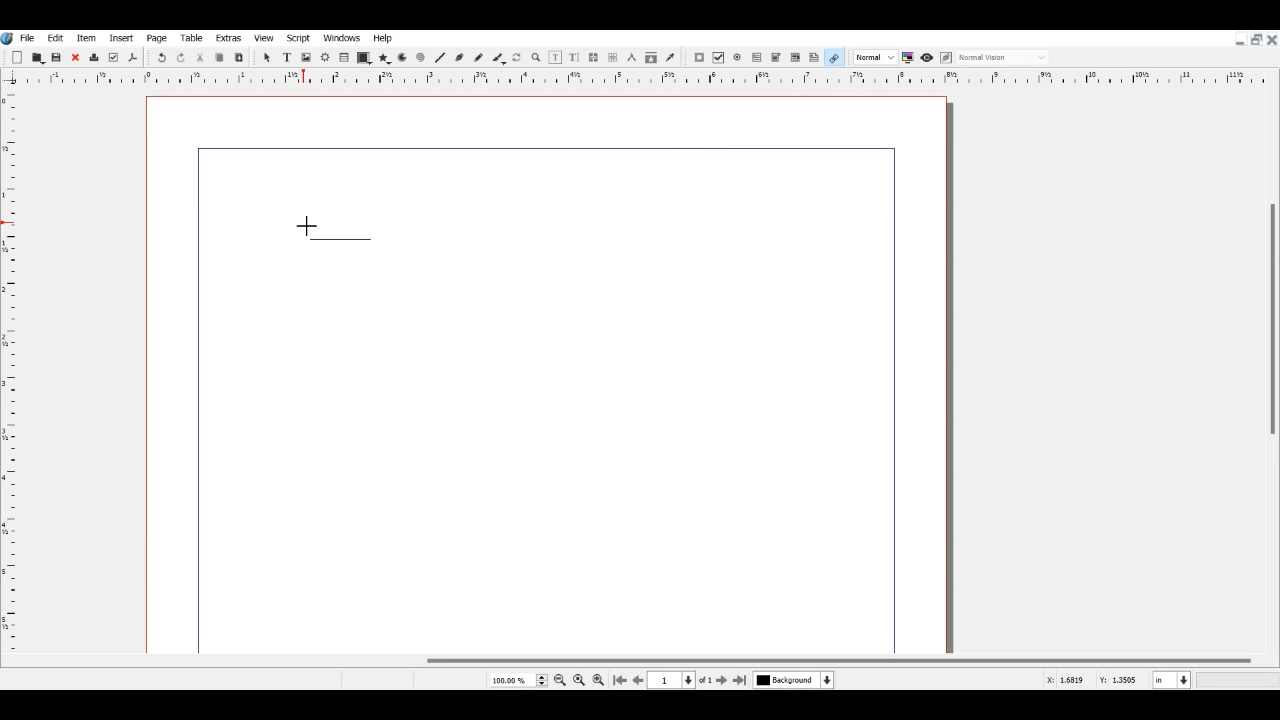 This screenshot has width=1280, height=720. Describe the element at coordinates (776, 58) in the screenshot. I see `PDF Combo Box` at that location.